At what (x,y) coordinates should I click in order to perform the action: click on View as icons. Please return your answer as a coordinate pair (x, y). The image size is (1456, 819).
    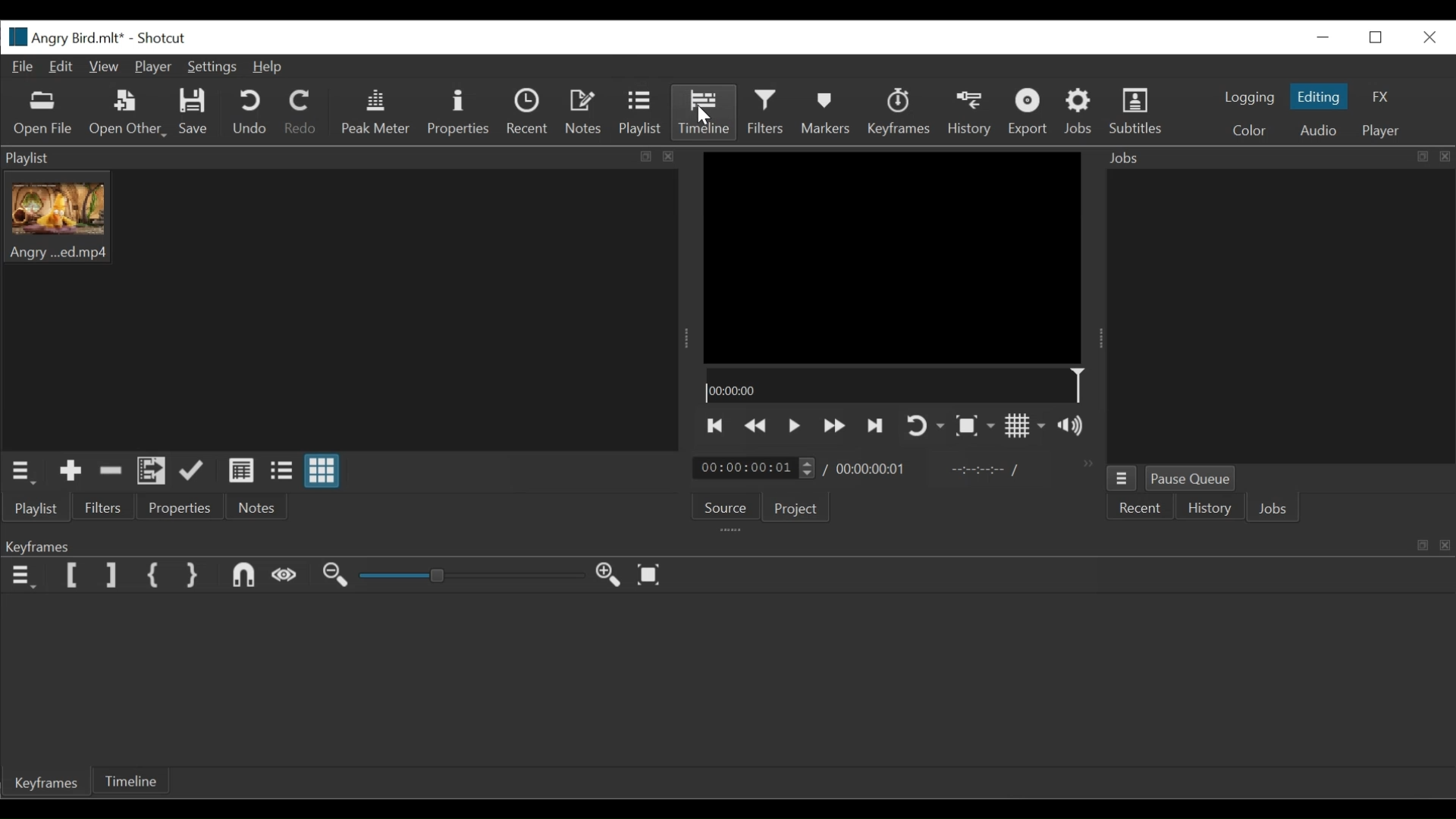
    Looking at the image, I should click on (321, 472).